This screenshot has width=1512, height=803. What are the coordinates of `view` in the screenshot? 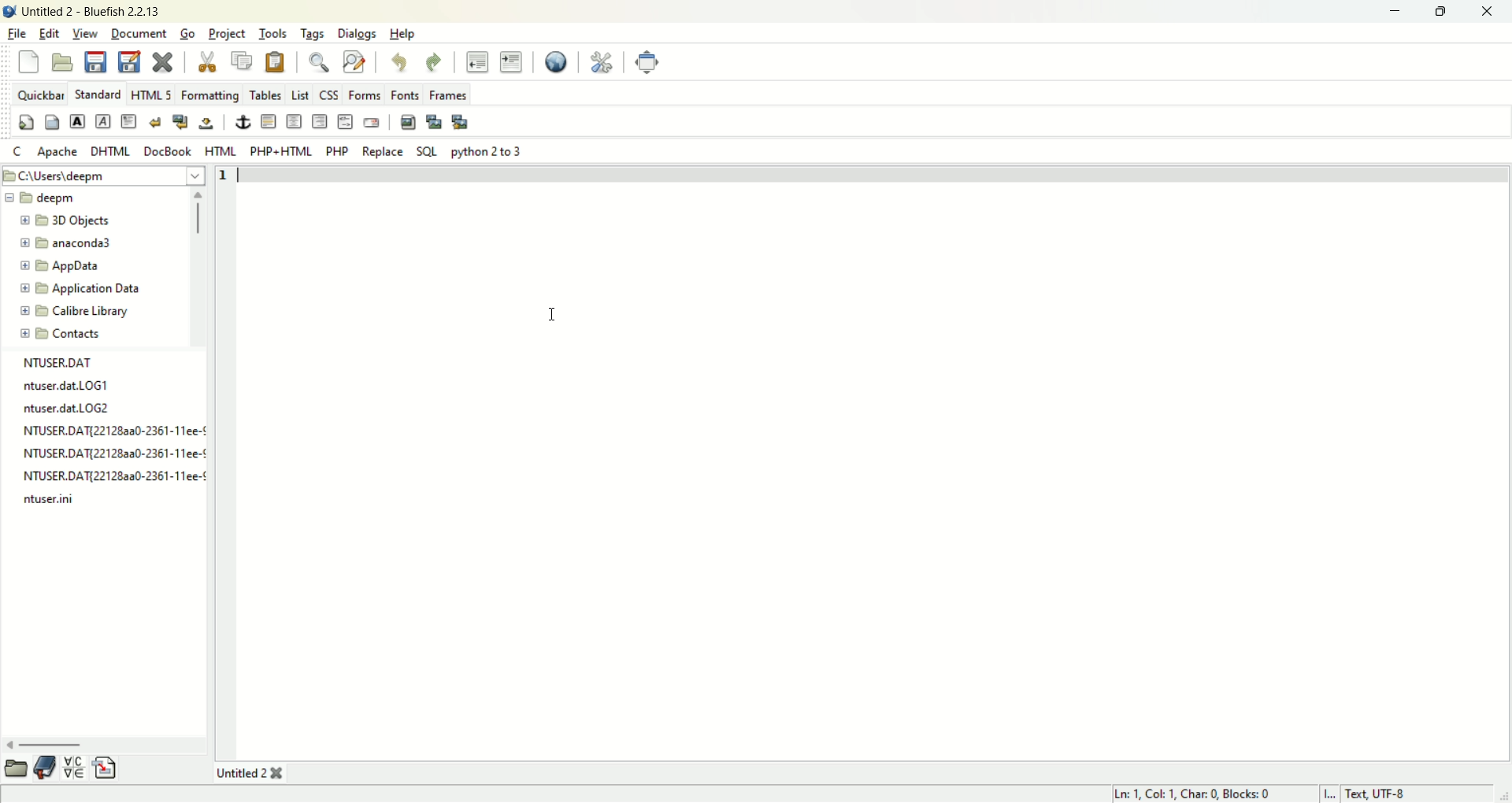 It's located at (87, 34).